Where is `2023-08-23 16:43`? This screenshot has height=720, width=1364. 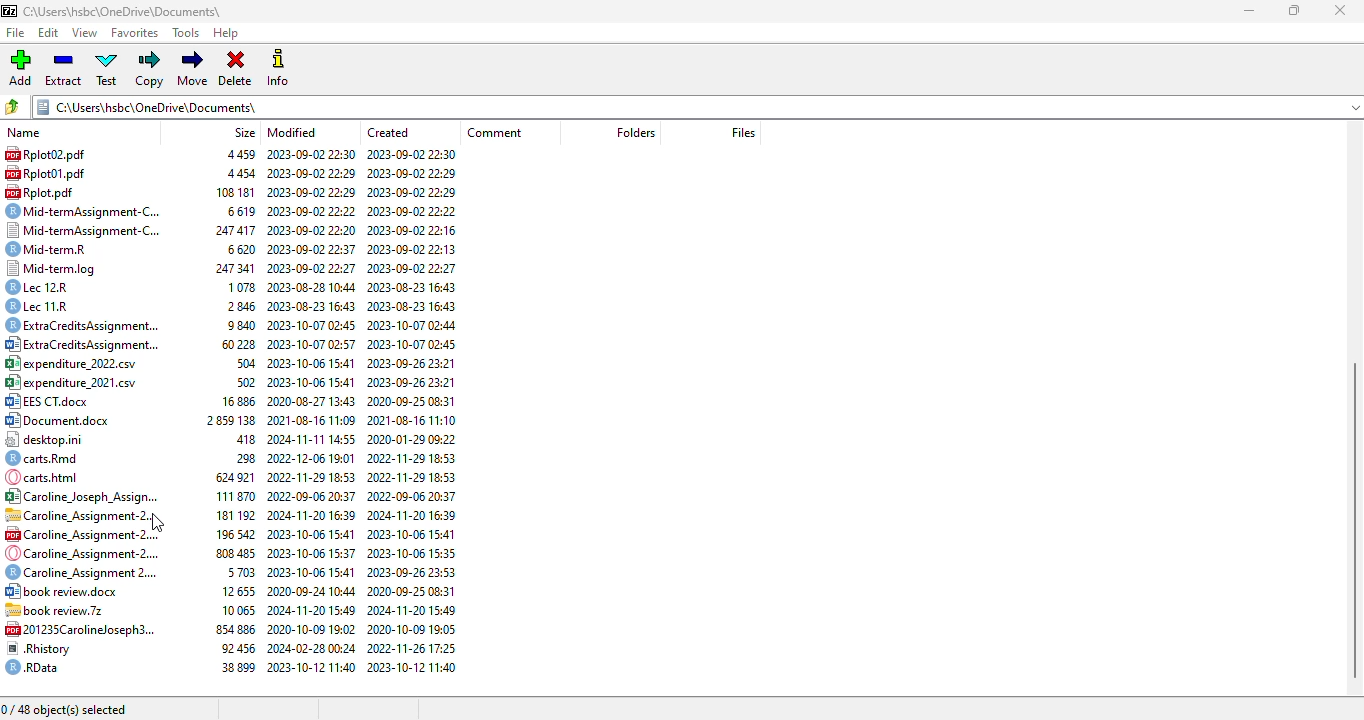 2023-08-23 16:43 is located at coordinates (312, 306).